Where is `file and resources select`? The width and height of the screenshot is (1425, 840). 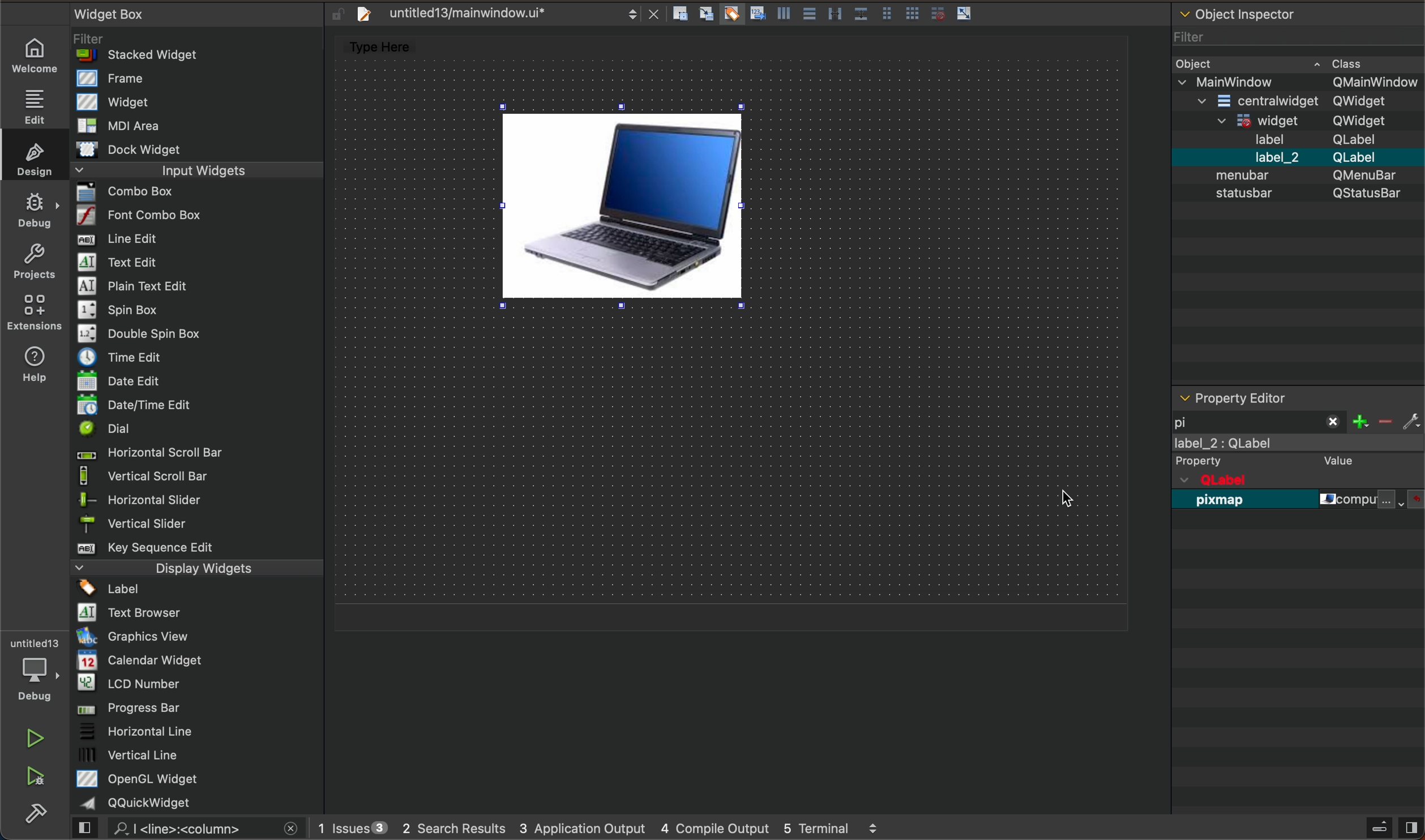
file and resources select is located at coordinates (1415, 500).